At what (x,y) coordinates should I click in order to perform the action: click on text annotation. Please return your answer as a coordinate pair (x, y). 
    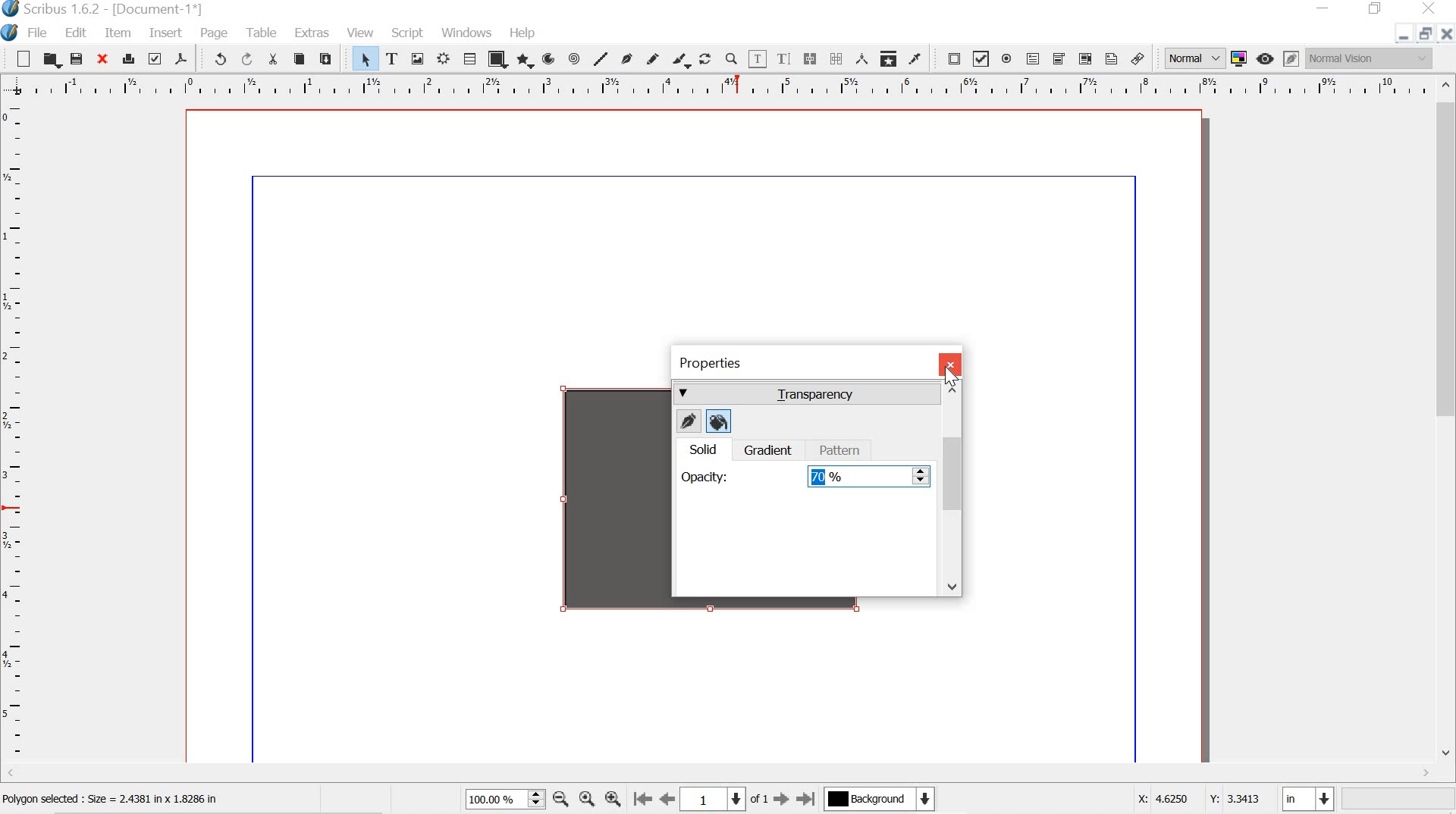
    Looking at the image, I should click on (1112, 59).